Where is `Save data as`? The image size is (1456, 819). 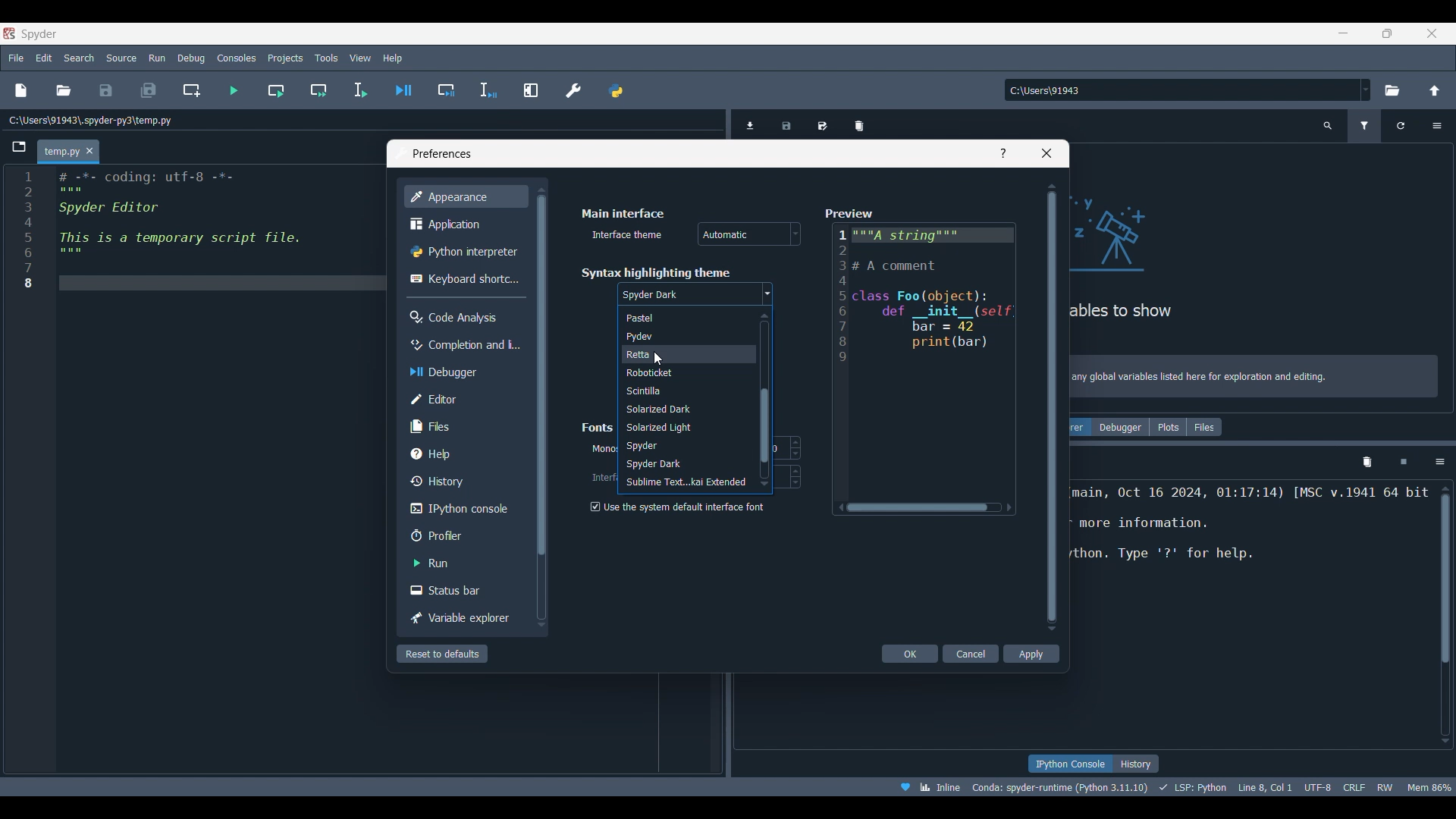
Save data as is located at coordinates (823, 123).